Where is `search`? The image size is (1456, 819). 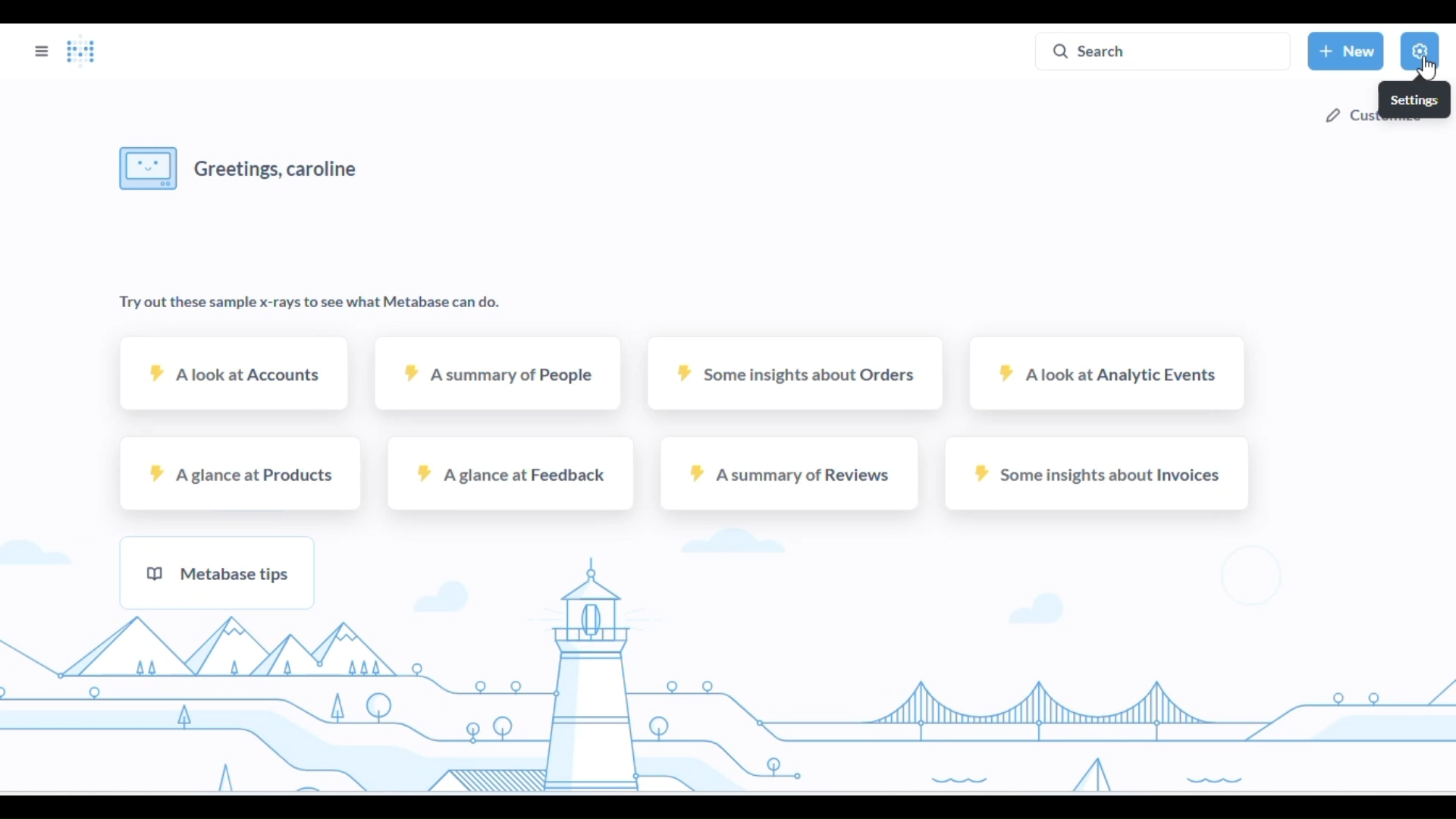 search is located at coordinates (1164, 50).